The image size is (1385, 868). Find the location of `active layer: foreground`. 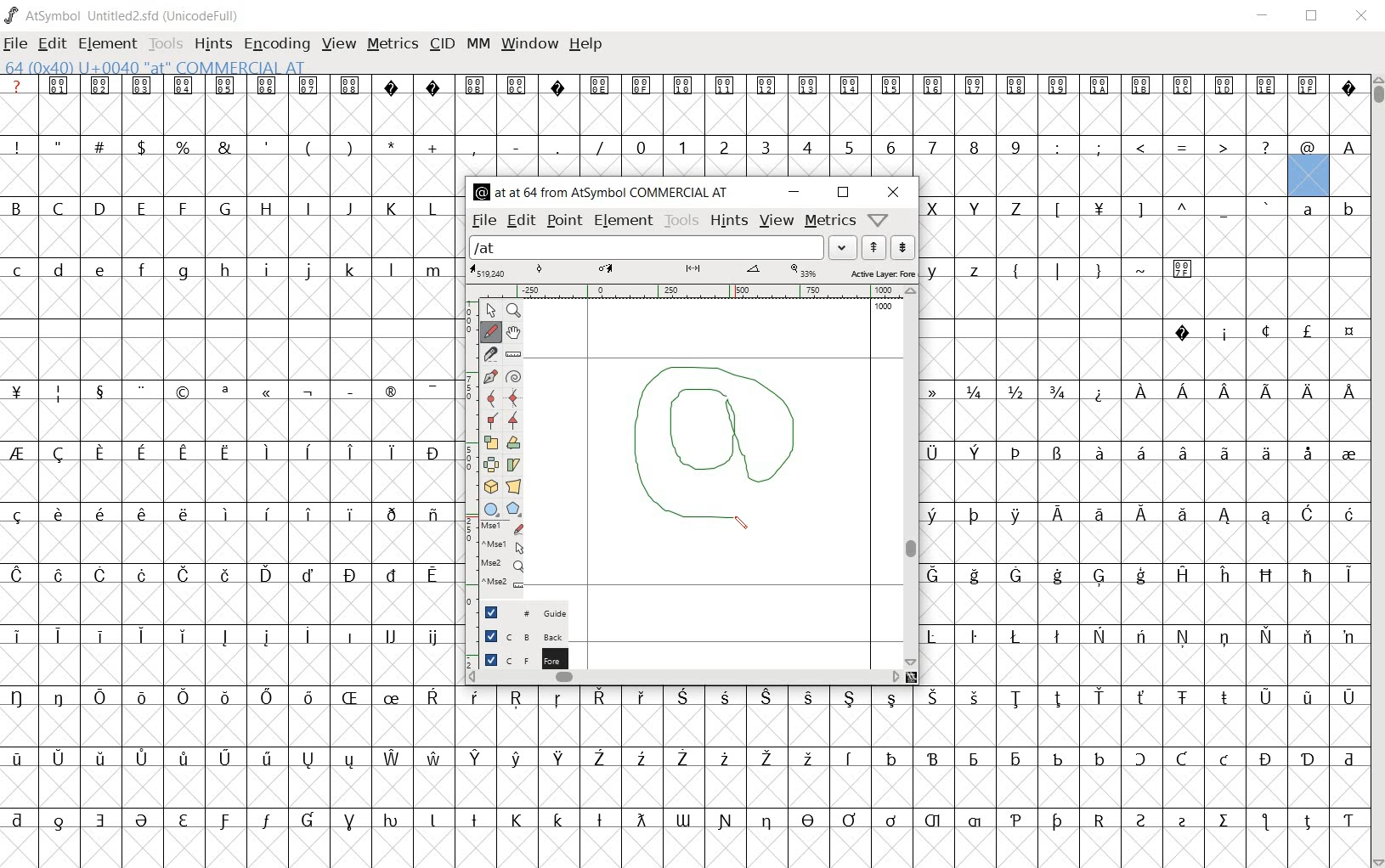

active layer: foreground is located at coordinates (692, 272).